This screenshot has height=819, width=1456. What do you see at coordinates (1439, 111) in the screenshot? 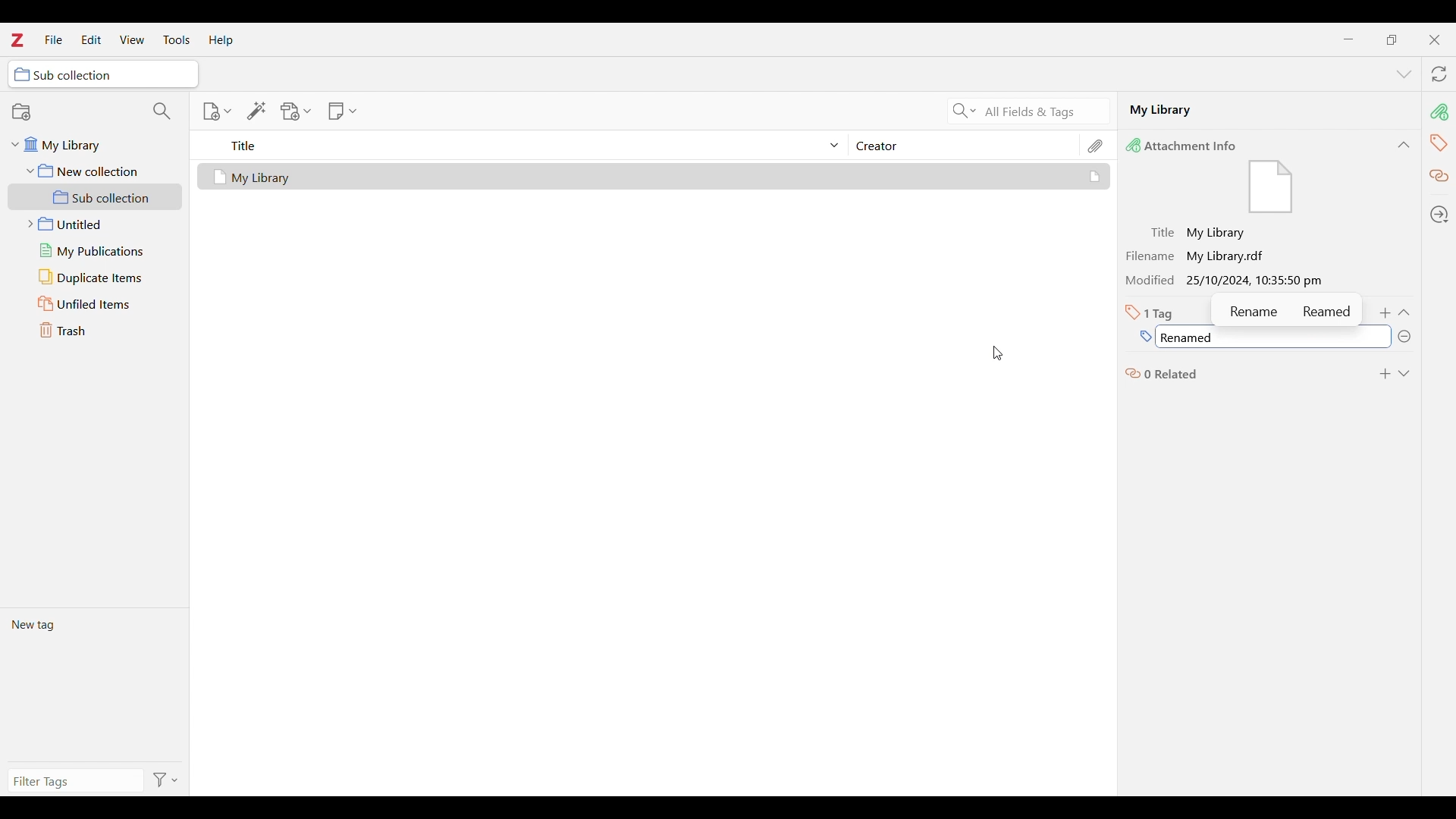
I see `pin` at bounding box center [1439, 111].